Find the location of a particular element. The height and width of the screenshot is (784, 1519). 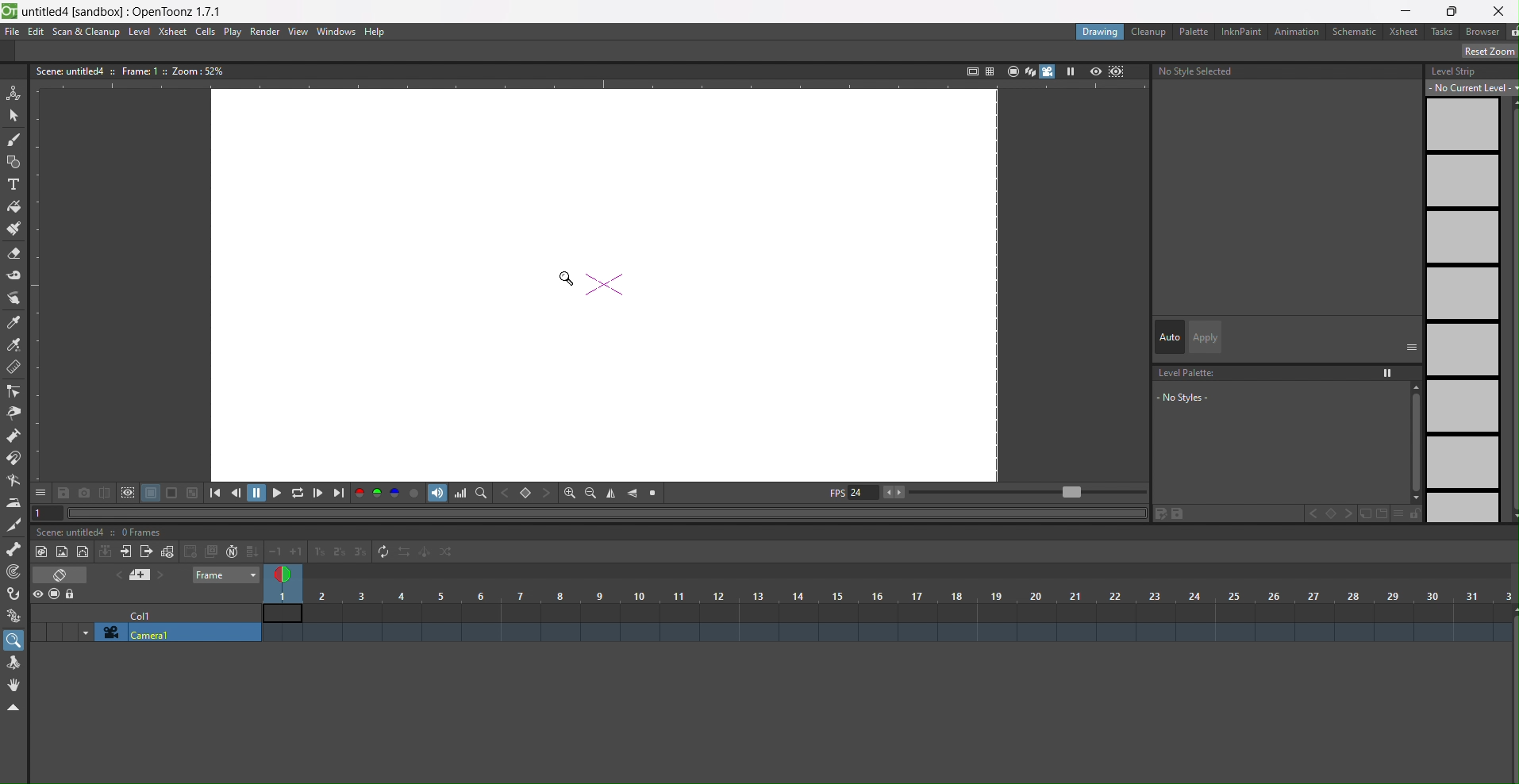

new toonz level is located at coordinates (83, 553).